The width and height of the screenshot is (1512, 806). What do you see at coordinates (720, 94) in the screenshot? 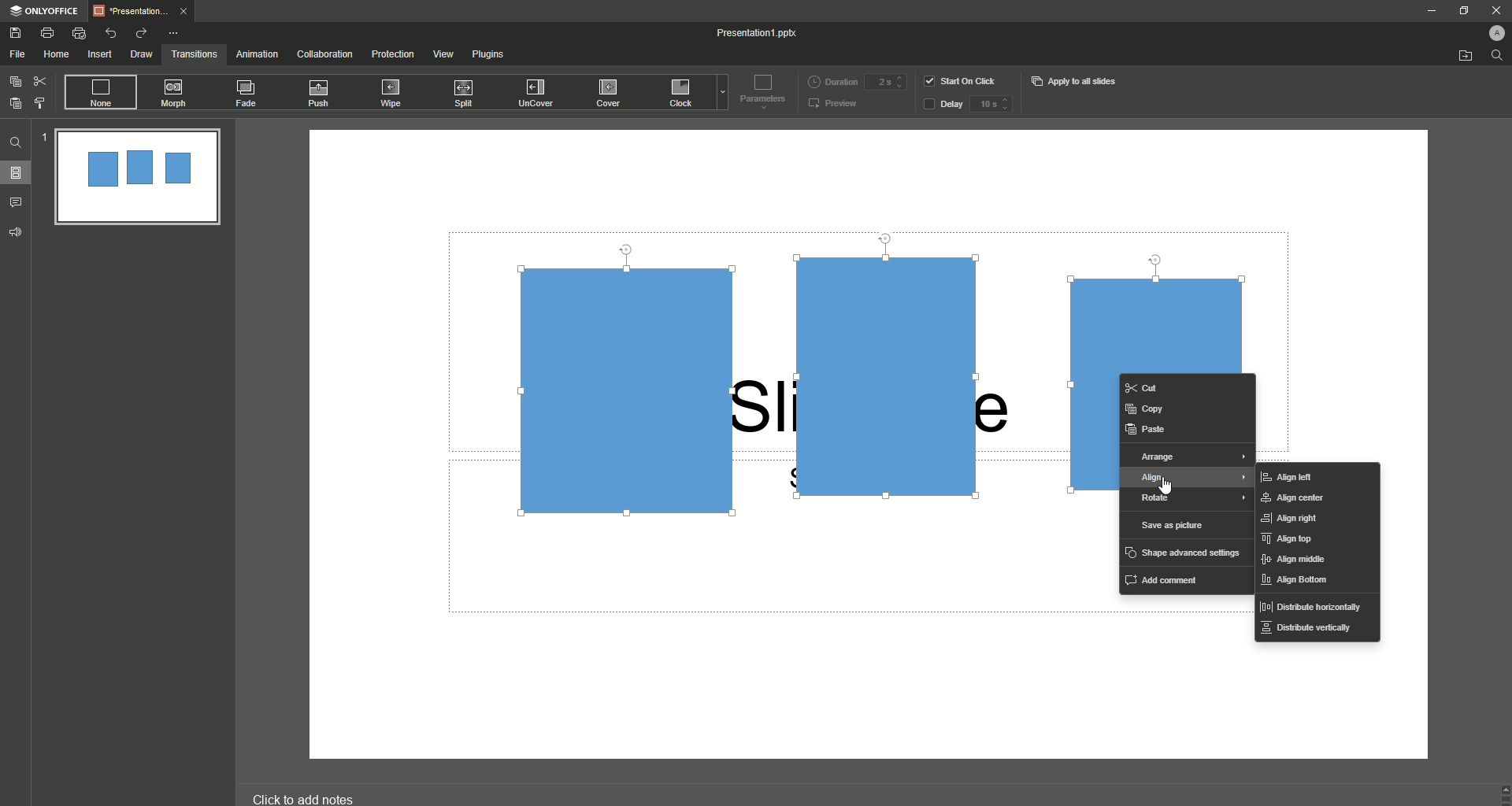
I see `dropdown` at bounding box center [720, 94].